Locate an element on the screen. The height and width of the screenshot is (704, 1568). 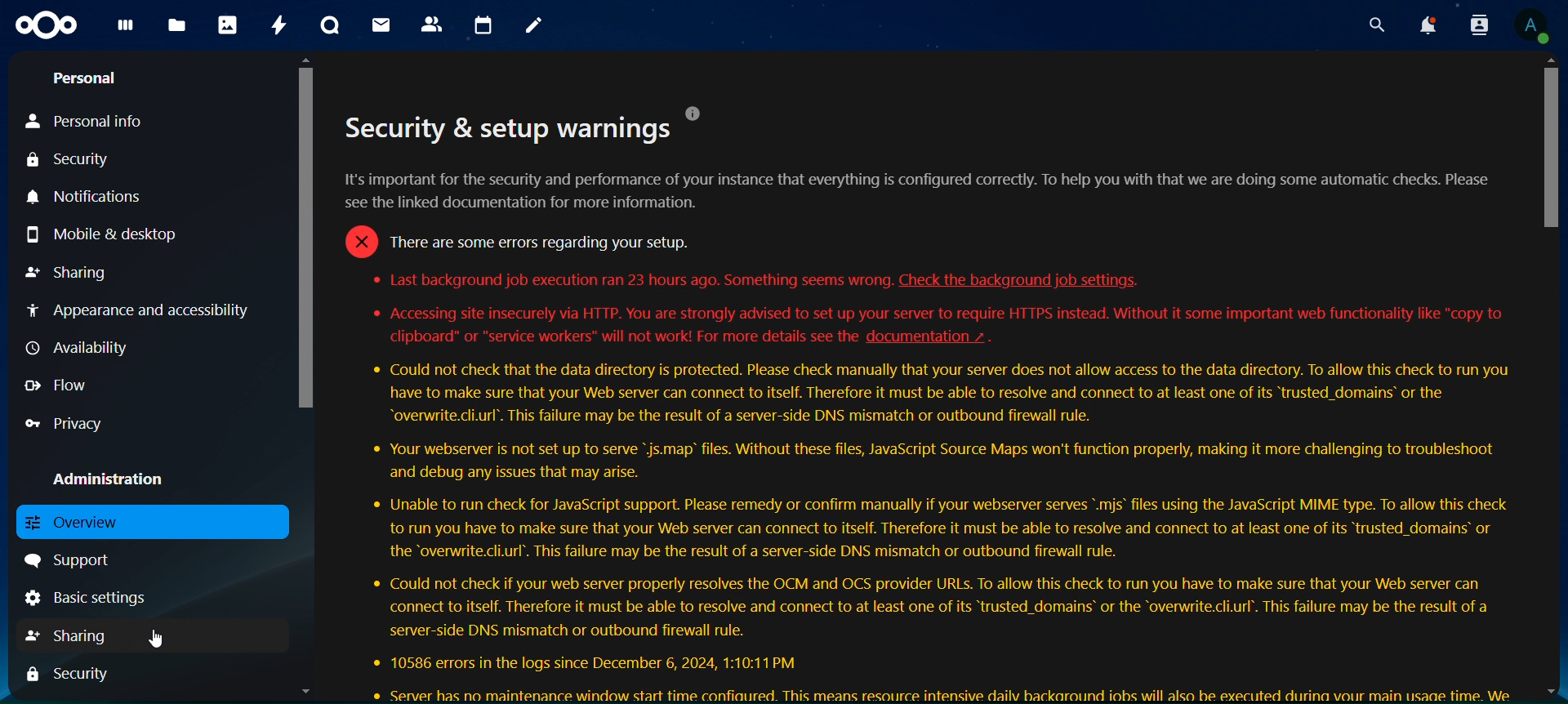
availability is located at coordinates (82, 348).